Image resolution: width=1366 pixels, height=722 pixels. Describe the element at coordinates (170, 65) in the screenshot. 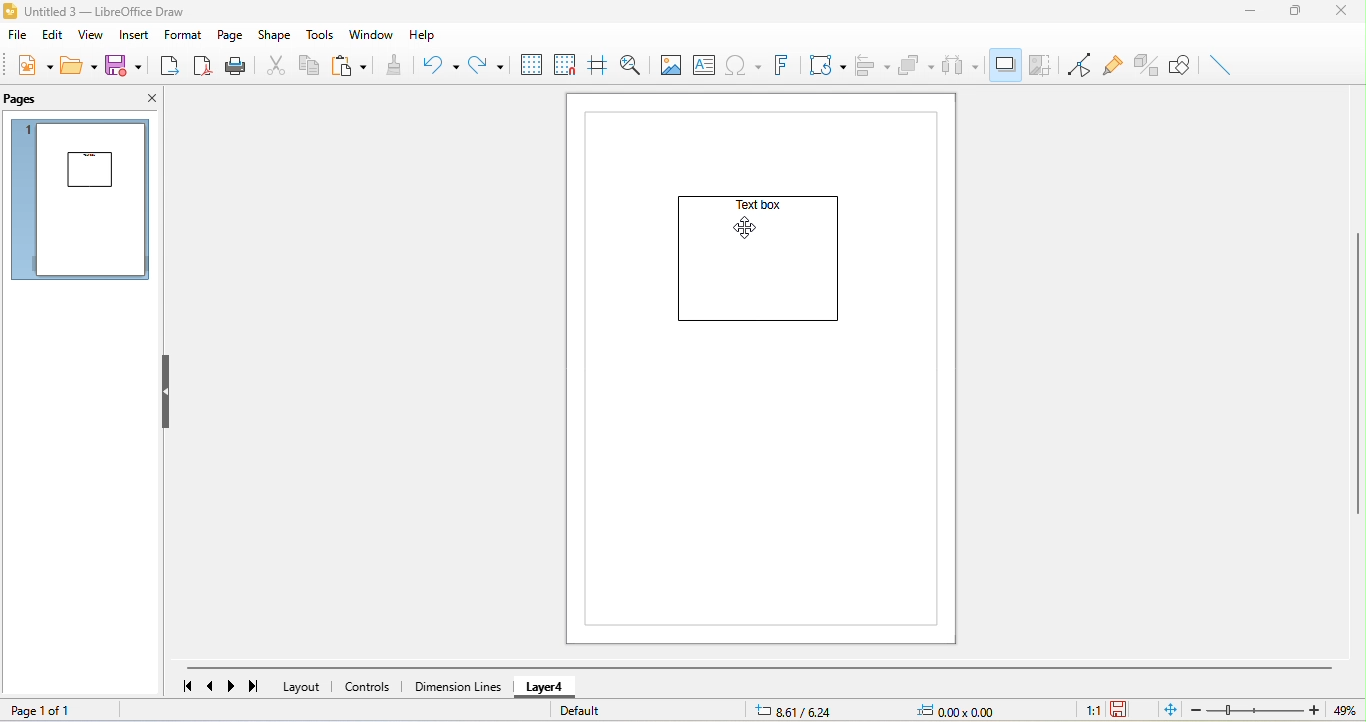

I see `export` at that location.